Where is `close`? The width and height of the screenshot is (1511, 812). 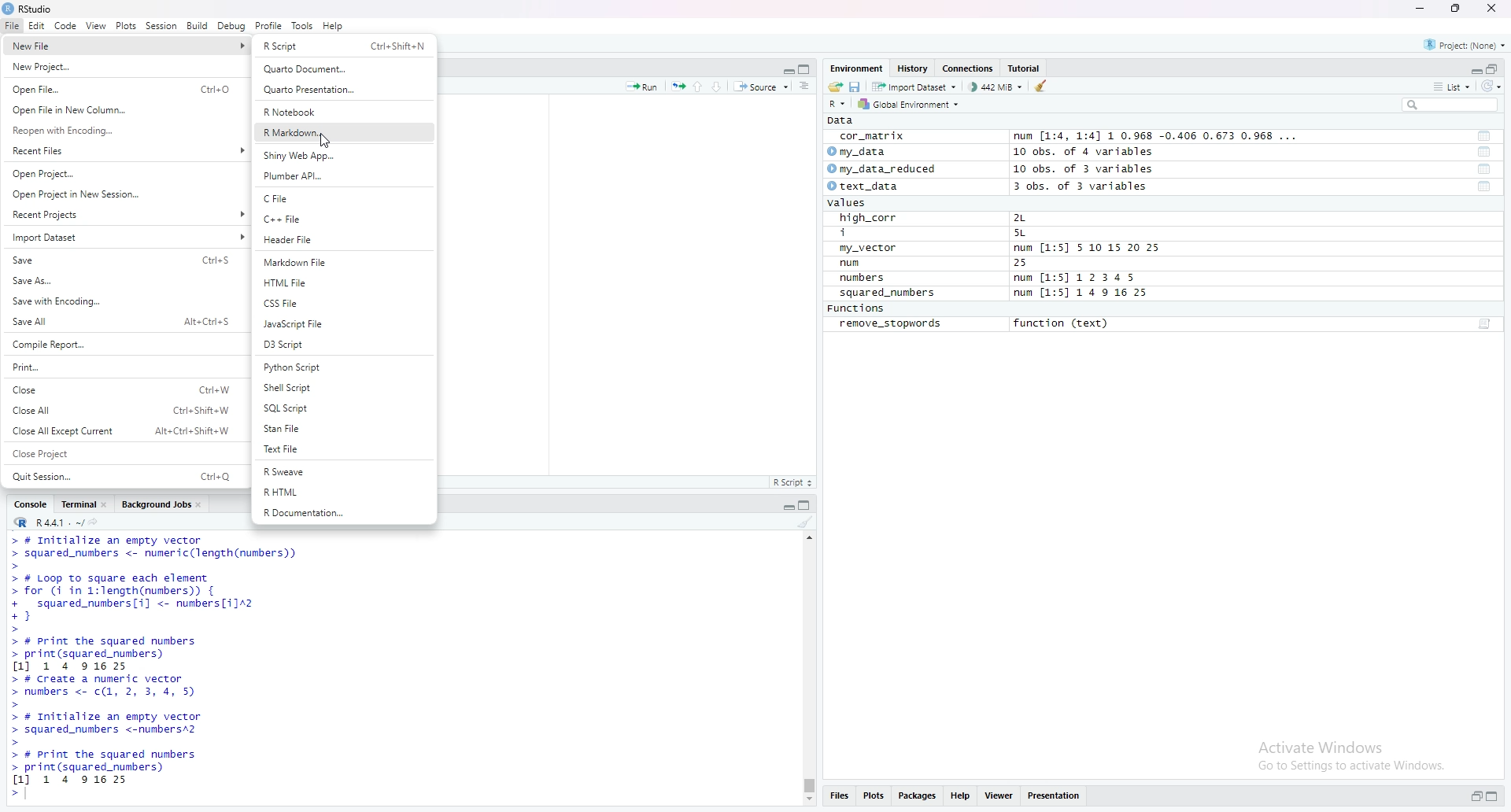
close is located at coordinates (107, 506).